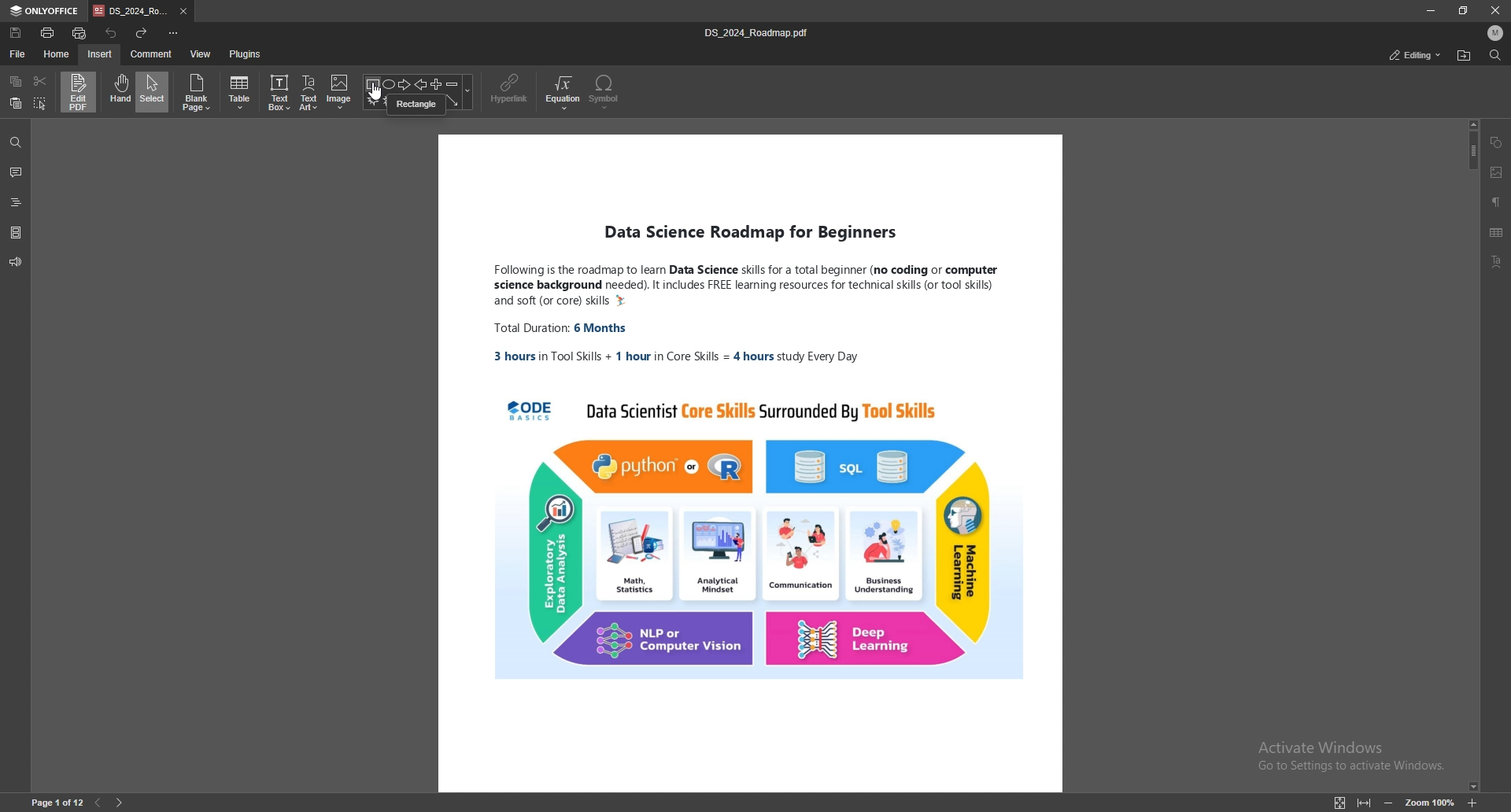 This screenshot has height=812, width=1511. Describe the element at coordinates (512, 90) in the screenshot. I see `hyperlink` at that location.